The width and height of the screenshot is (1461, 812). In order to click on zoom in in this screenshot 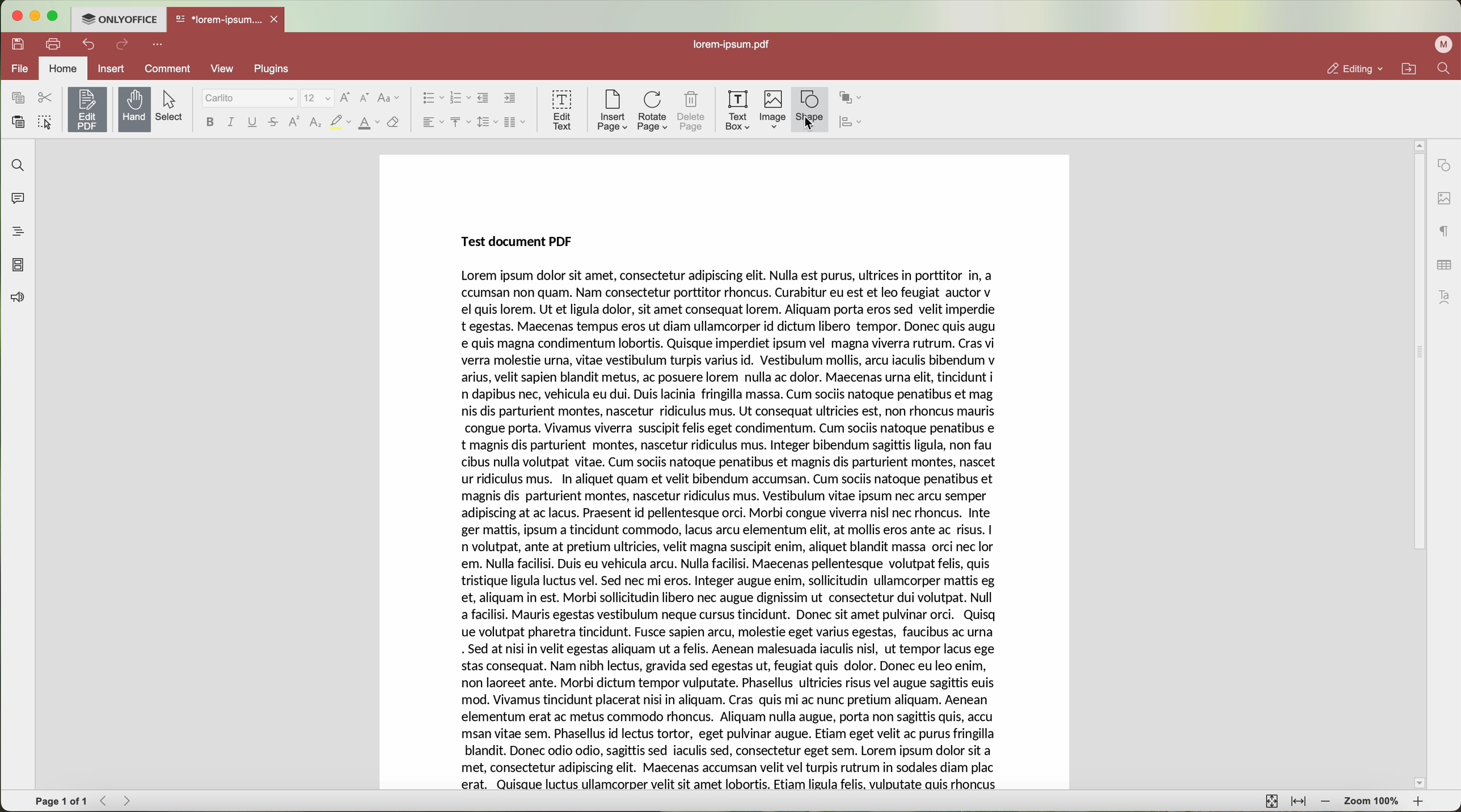, I will do `click(1418, 802)`.